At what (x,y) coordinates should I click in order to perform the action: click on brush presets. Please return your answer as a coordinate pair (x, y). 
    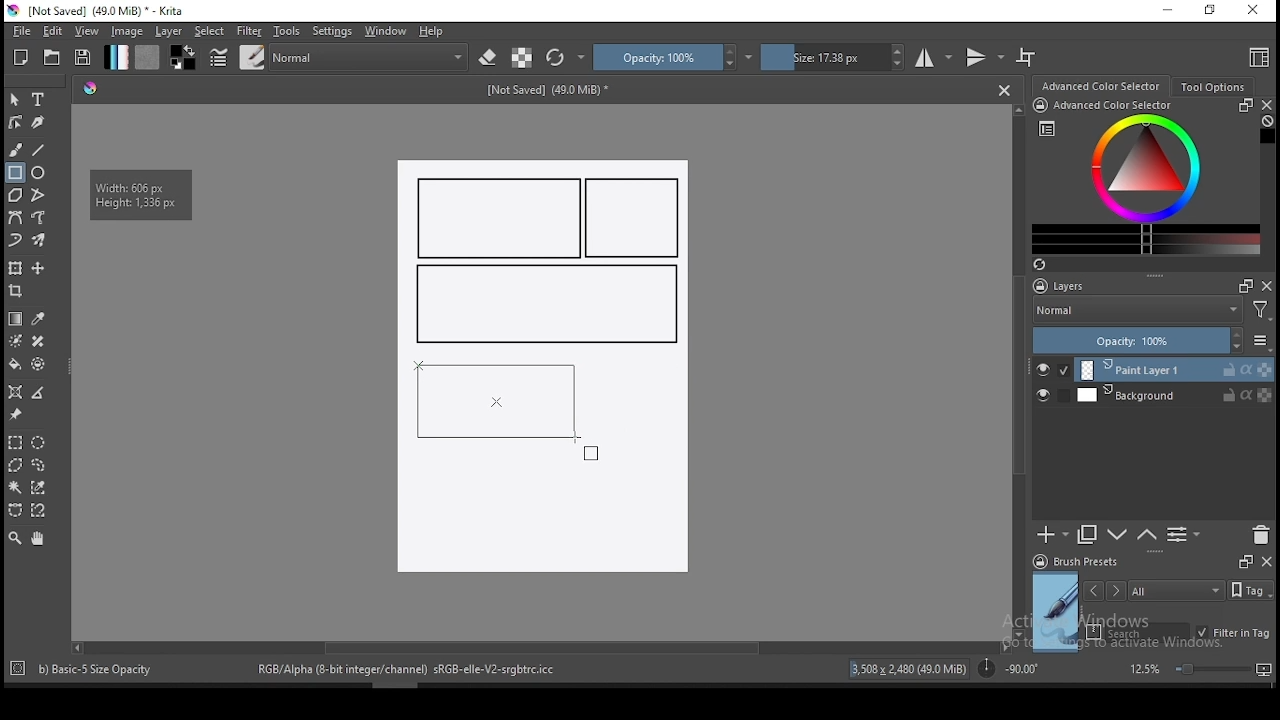
    Looking at the image, I should click on (1082, 562).